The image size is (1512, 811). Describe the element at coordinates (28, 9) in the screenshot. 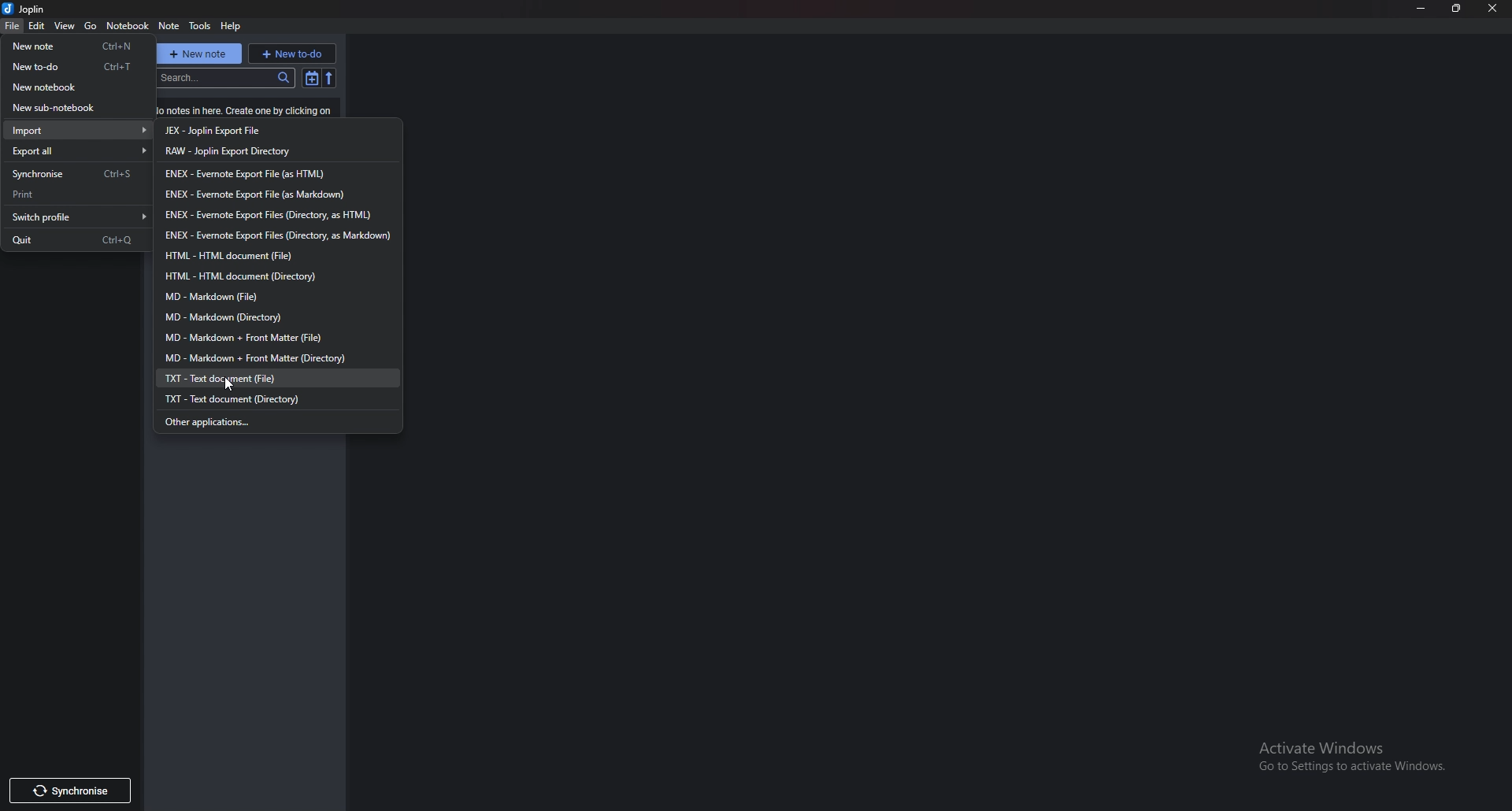

I see `joplin` at that location.